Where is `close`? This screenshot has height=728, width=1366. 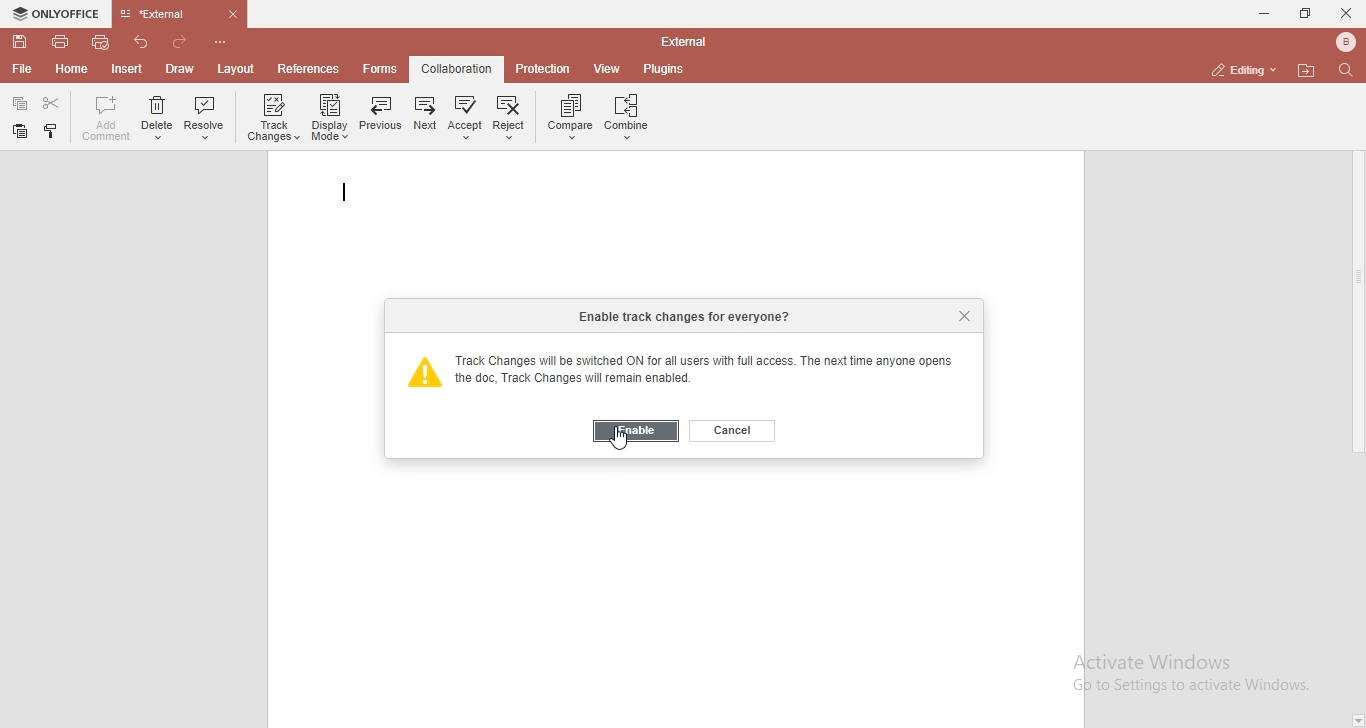
close is located at coordinates (1348, 14).